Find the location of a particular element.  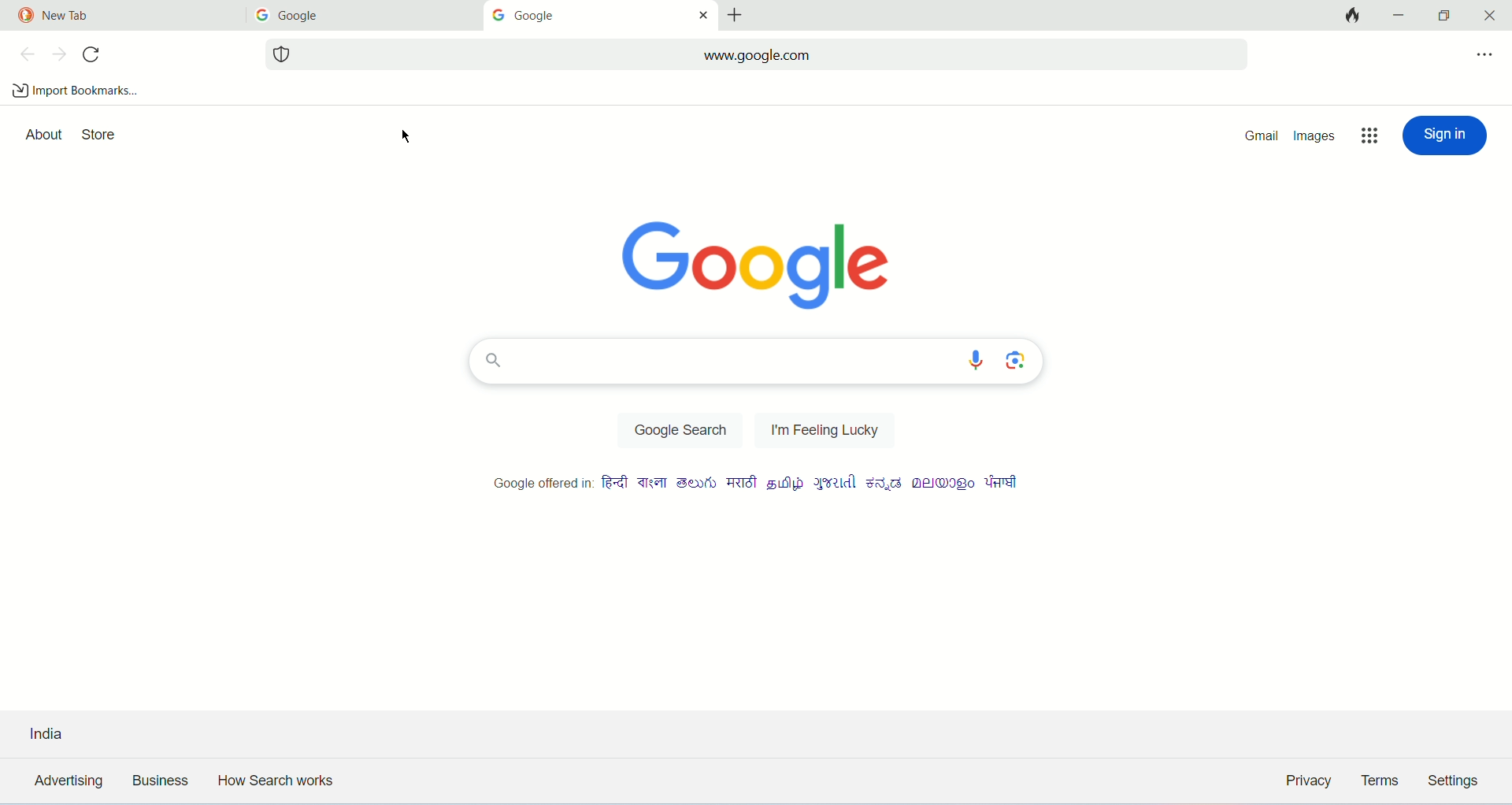

google offered in is located at coordinates (540, 483).